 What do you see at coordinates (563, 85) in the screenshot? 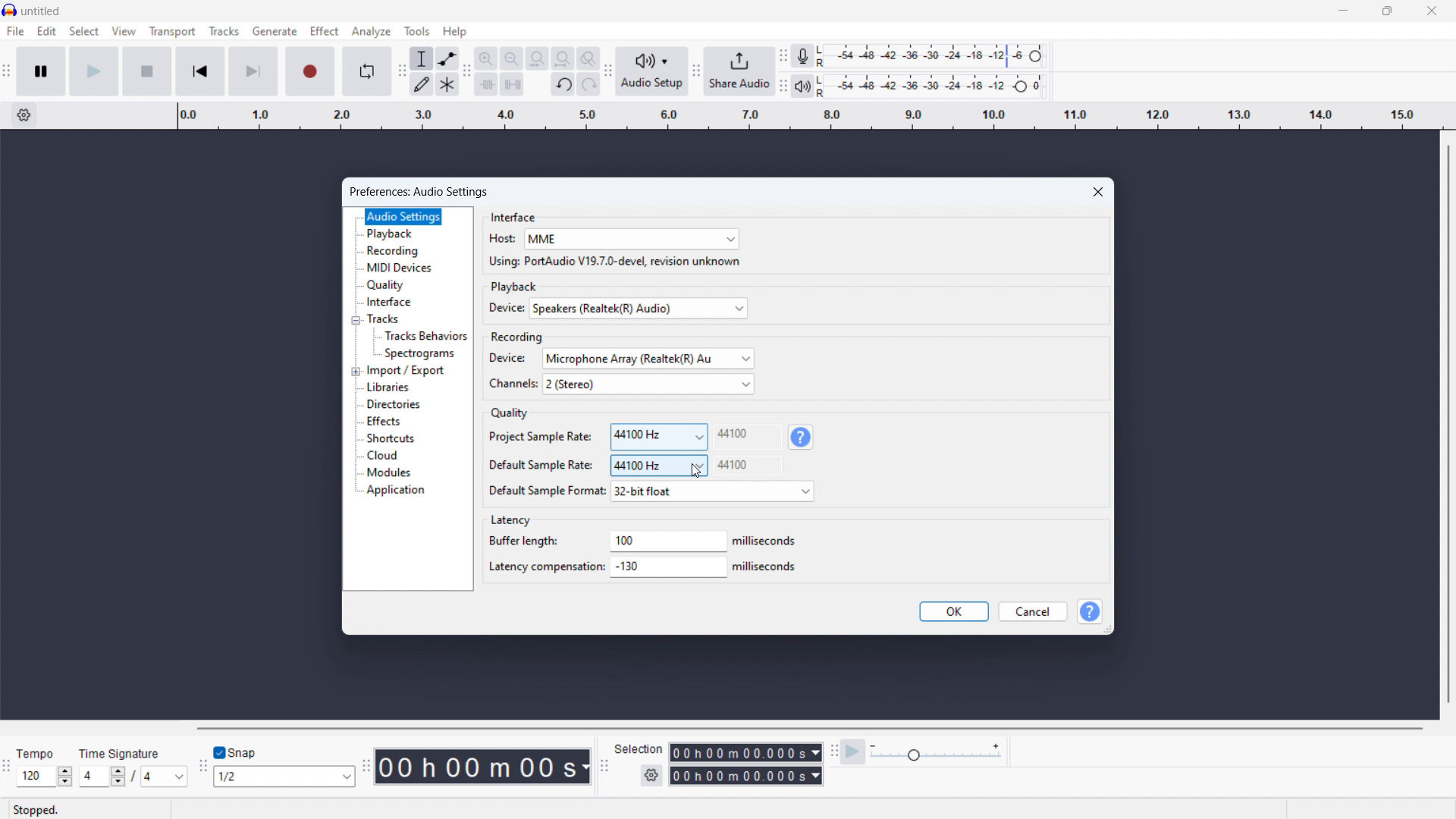
I see `undo` at bounding box center [563, 85].